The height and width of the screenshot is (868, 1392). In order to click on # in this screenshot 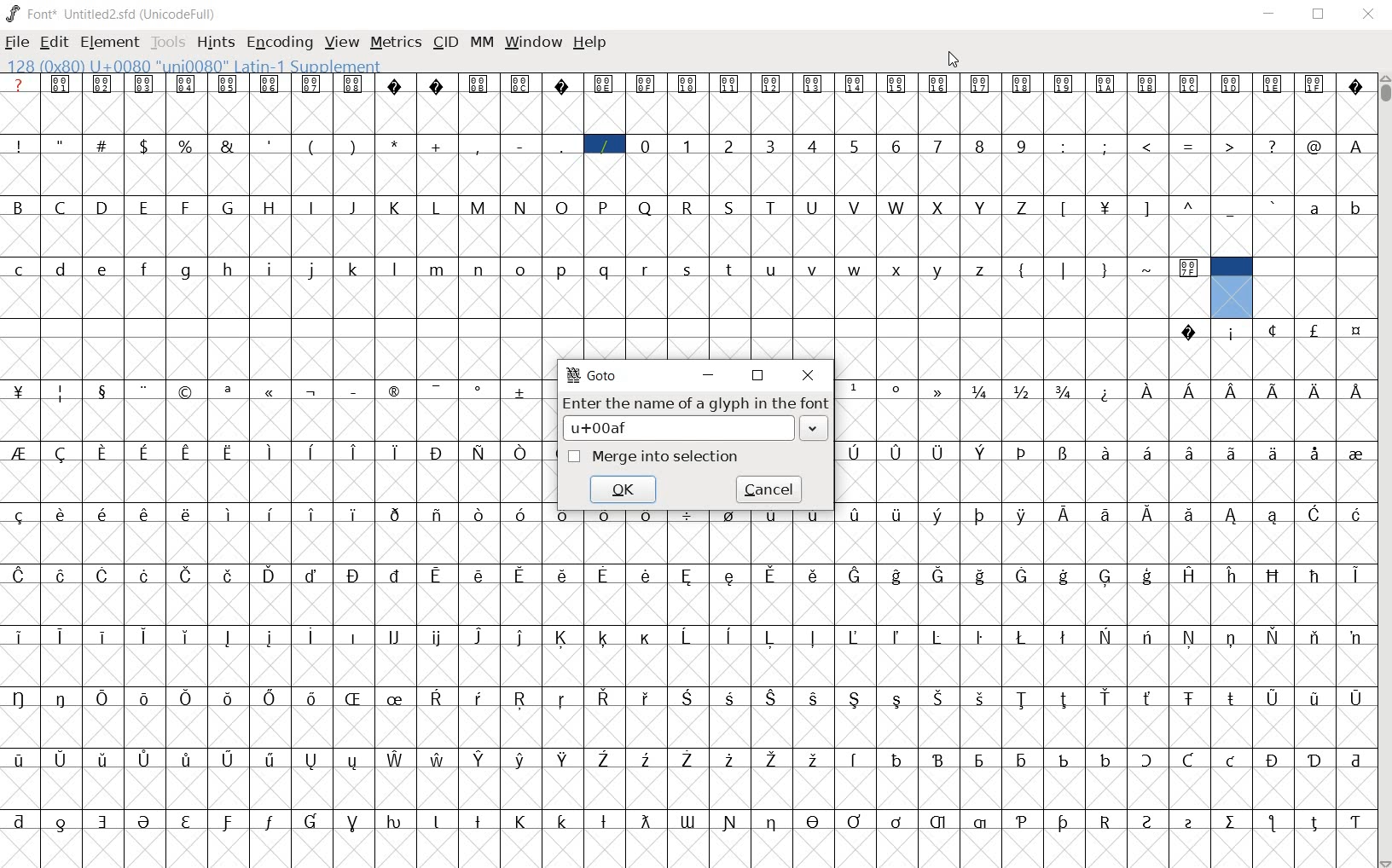, I will do `click(104, 145)`.